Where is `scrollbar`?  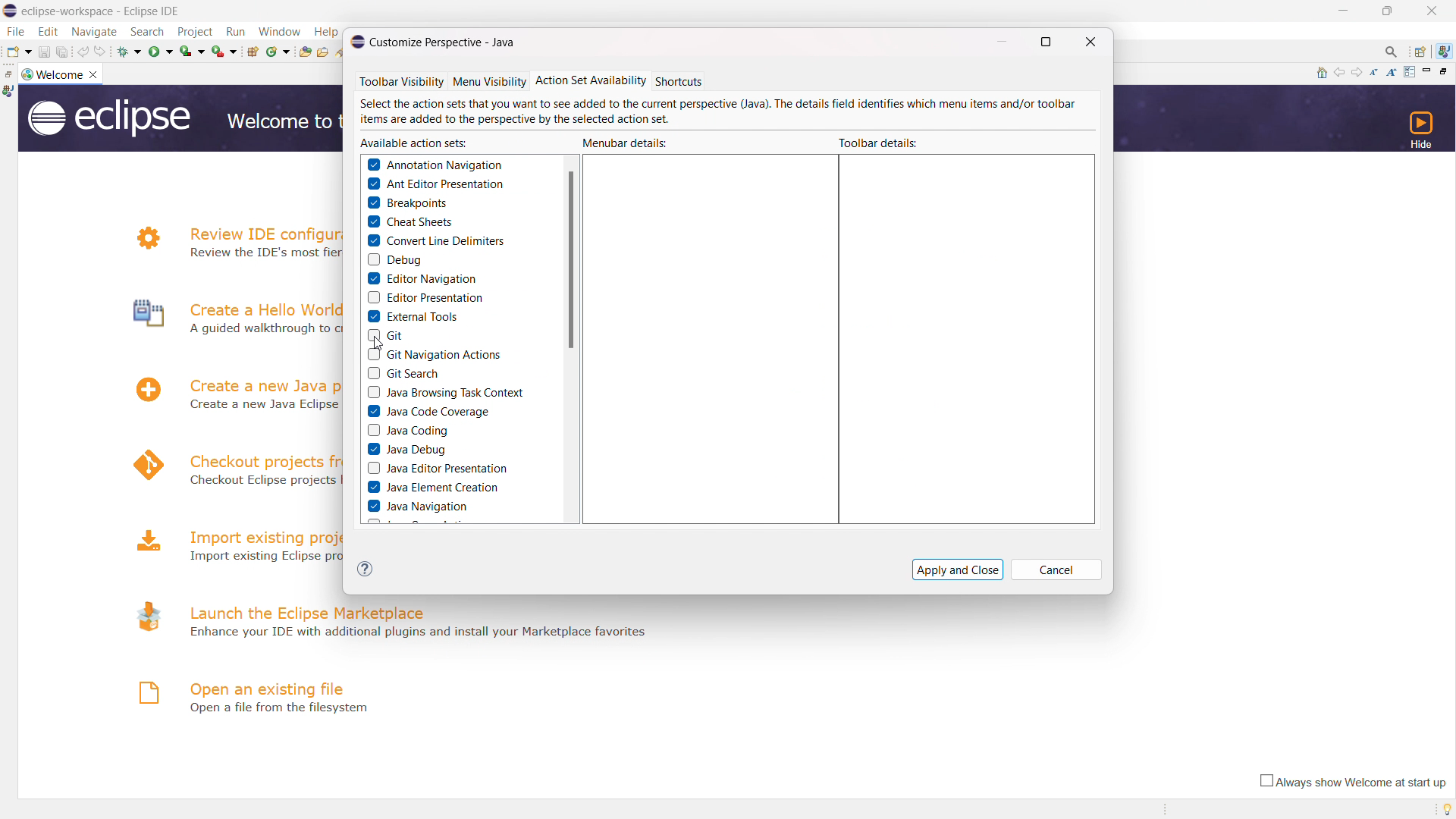
scrollbar is located at coordinates (572, 260).